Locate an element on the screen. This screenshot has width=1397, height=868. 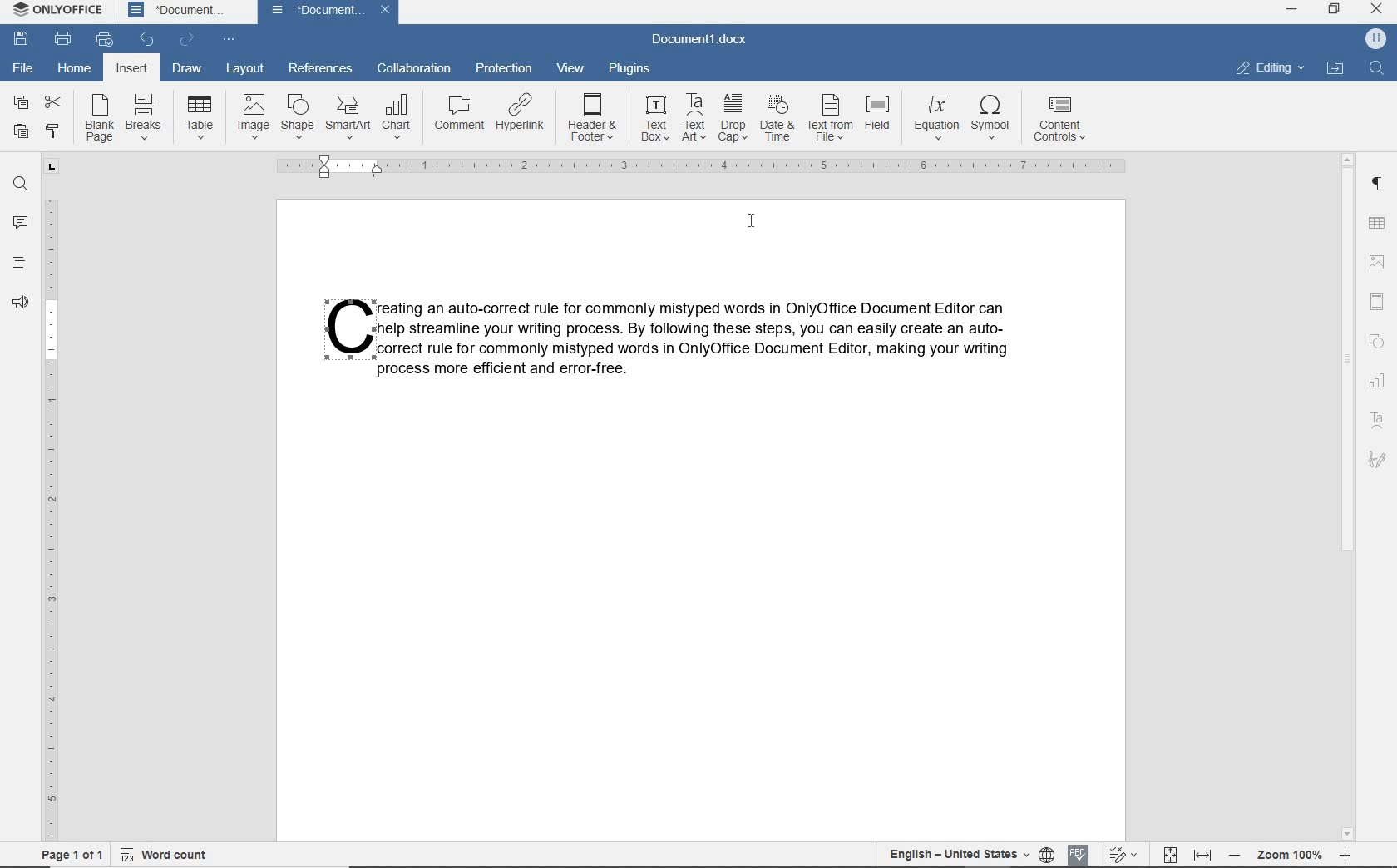
comment is located at coordinates (461, 116).